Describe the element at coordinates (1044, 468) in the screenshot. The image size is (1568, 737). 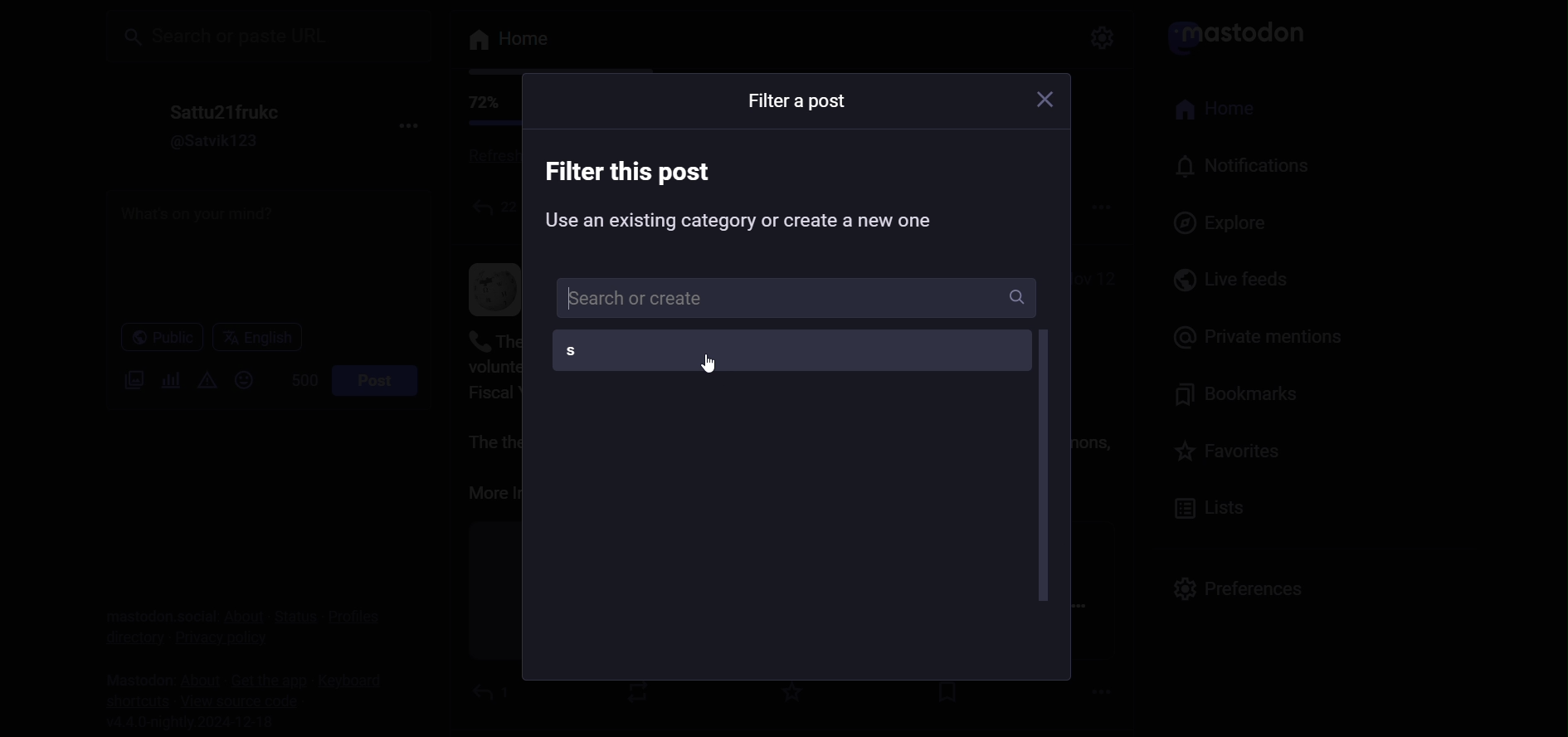
I see `scroll bar` at that location.